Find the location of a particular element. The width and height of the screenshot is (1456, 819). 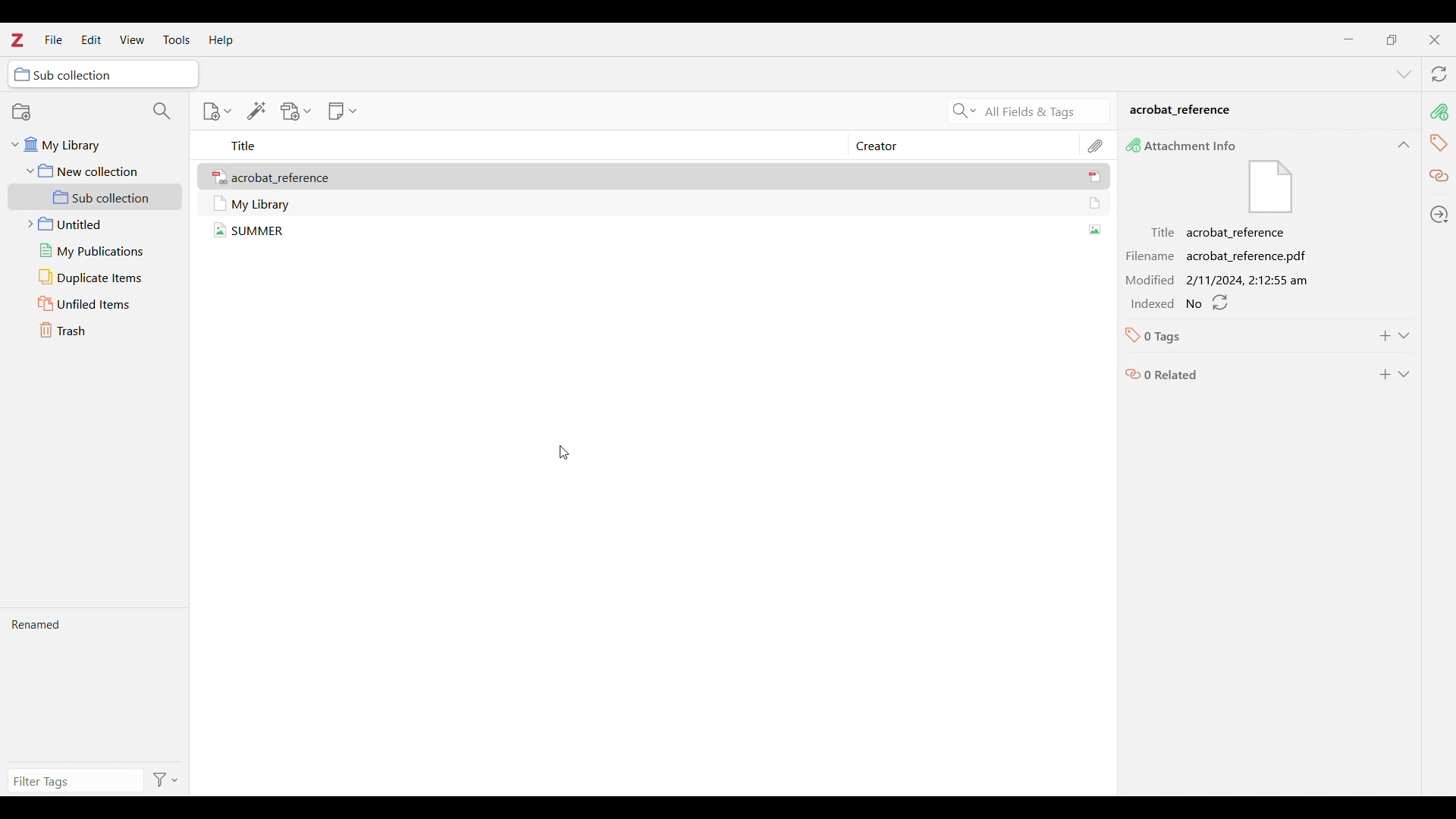

Tags is located at coordinates (1437, 143).